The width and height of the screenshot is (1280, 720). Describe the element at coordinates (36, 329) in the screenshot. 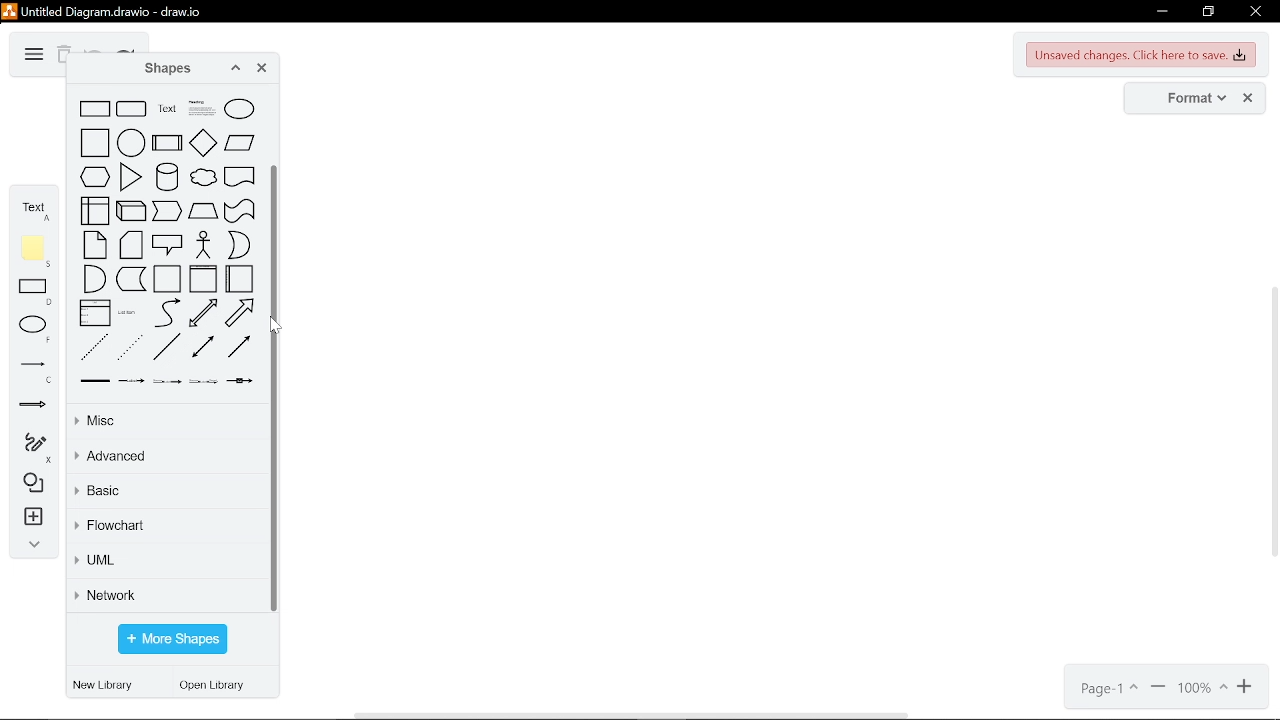

I see `ellipse` at that location.